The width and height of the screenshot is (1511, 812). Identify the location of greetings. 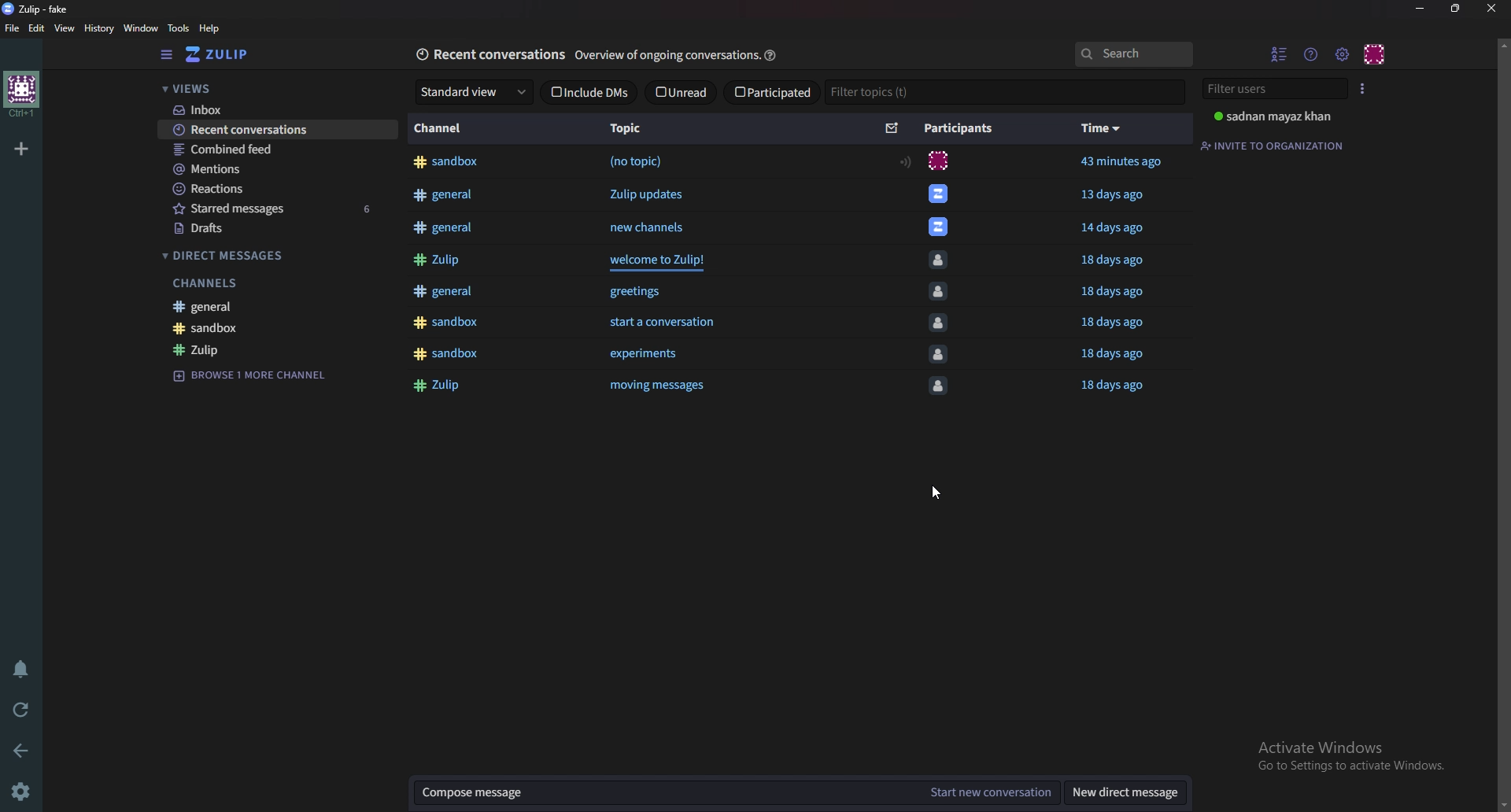
(635, 294).